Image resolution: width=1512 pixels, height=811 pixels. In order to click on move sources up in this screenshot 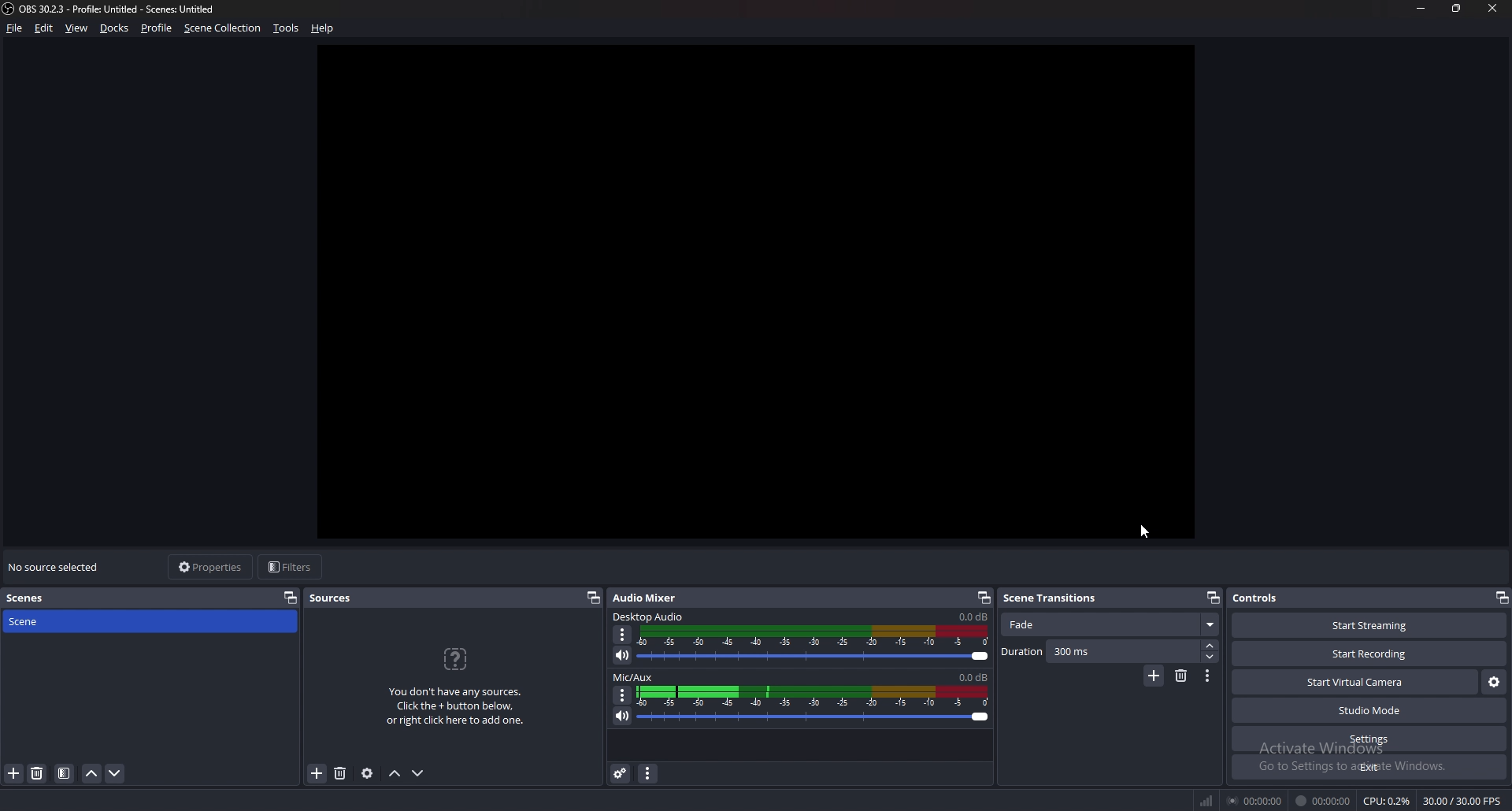, I will do `click(395, 773)`.